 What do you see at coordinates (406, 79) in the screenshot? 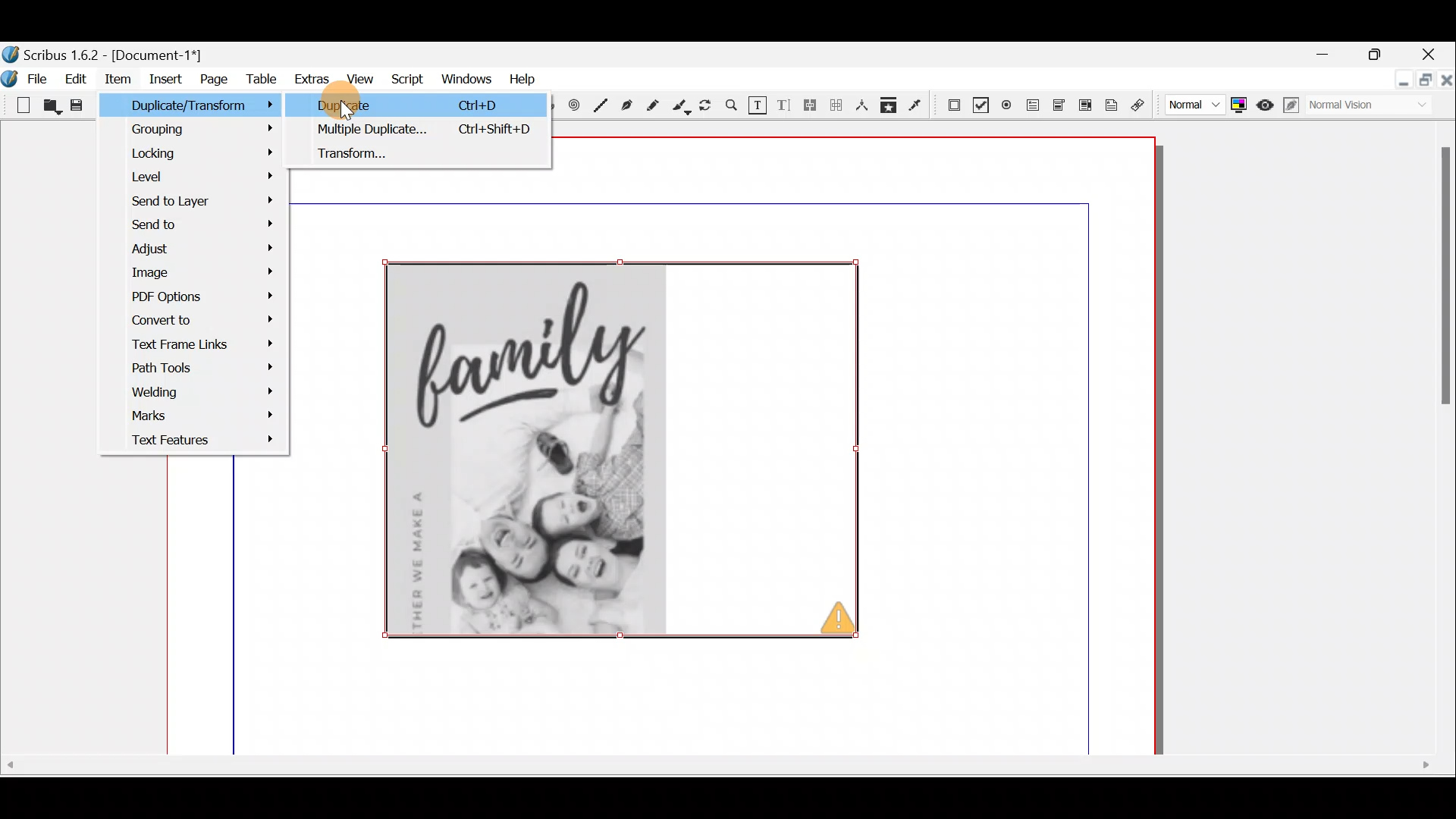
I see `Script` at bounding box center [406, 79].